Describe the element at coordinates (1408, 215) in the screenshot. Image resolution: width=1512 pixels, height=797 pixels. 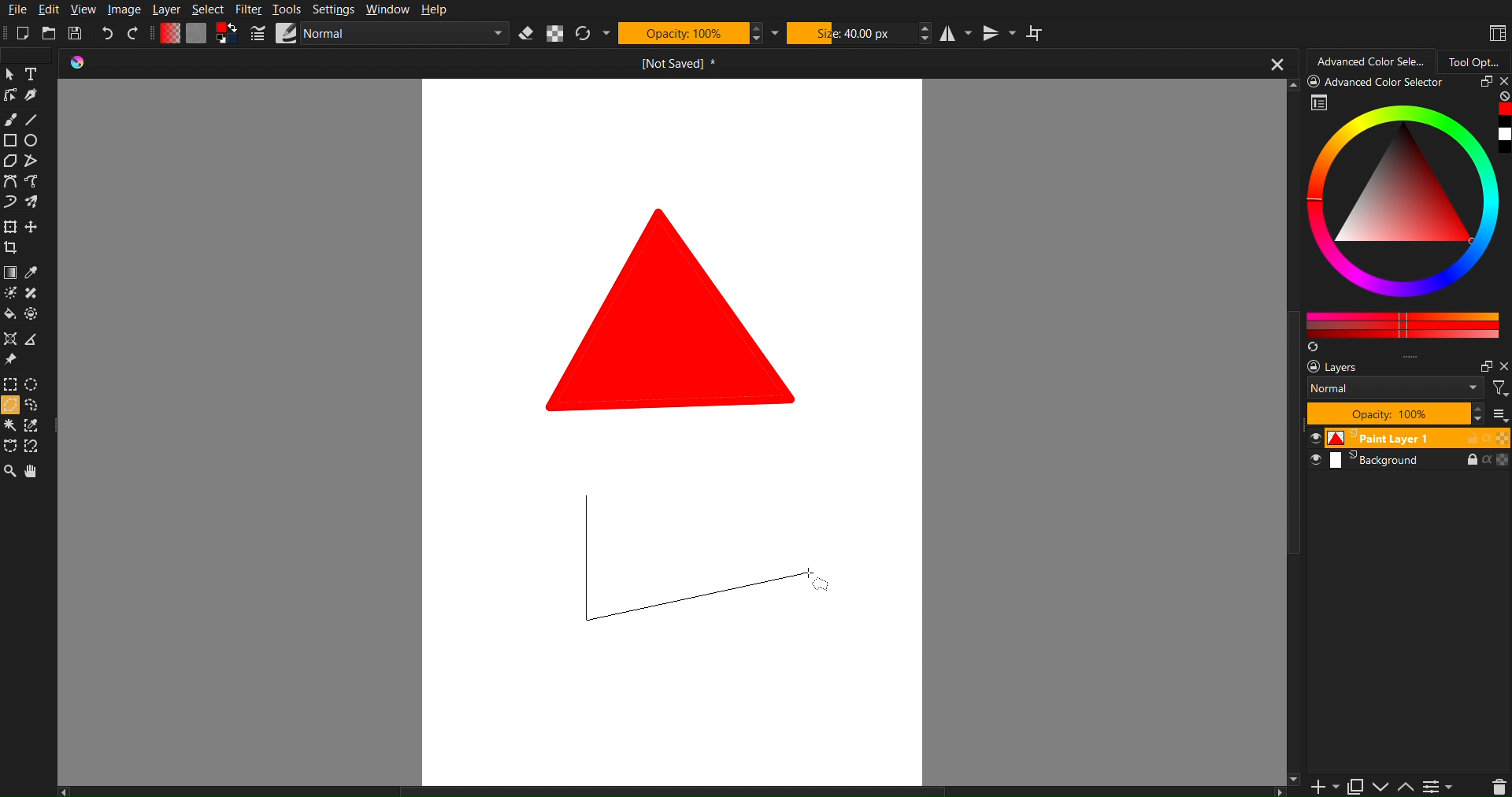
I see `Advanced Color Selector` at that location.